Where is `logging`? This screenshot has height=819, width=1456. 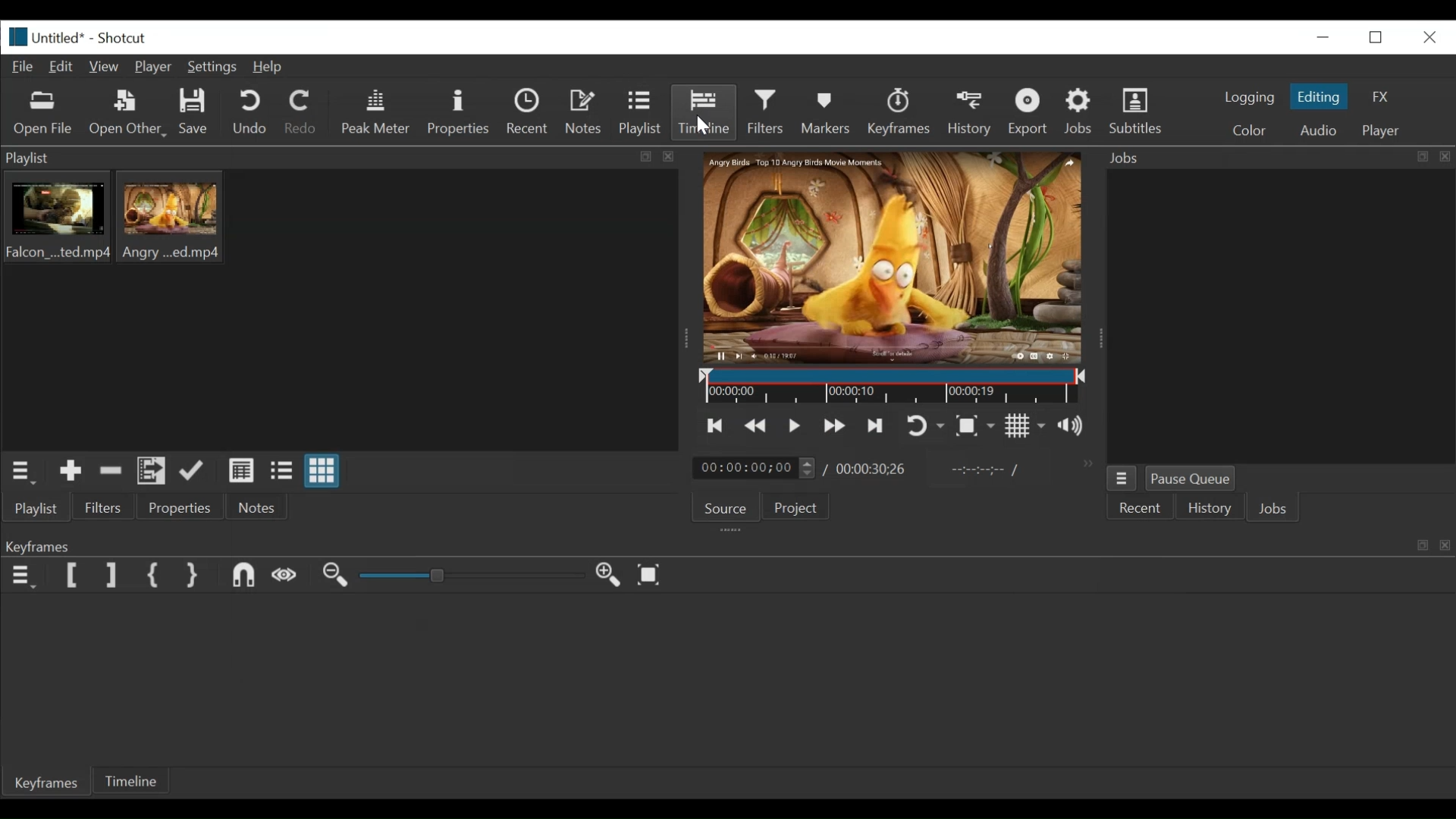
logging is located at coordinates (1248, 97).